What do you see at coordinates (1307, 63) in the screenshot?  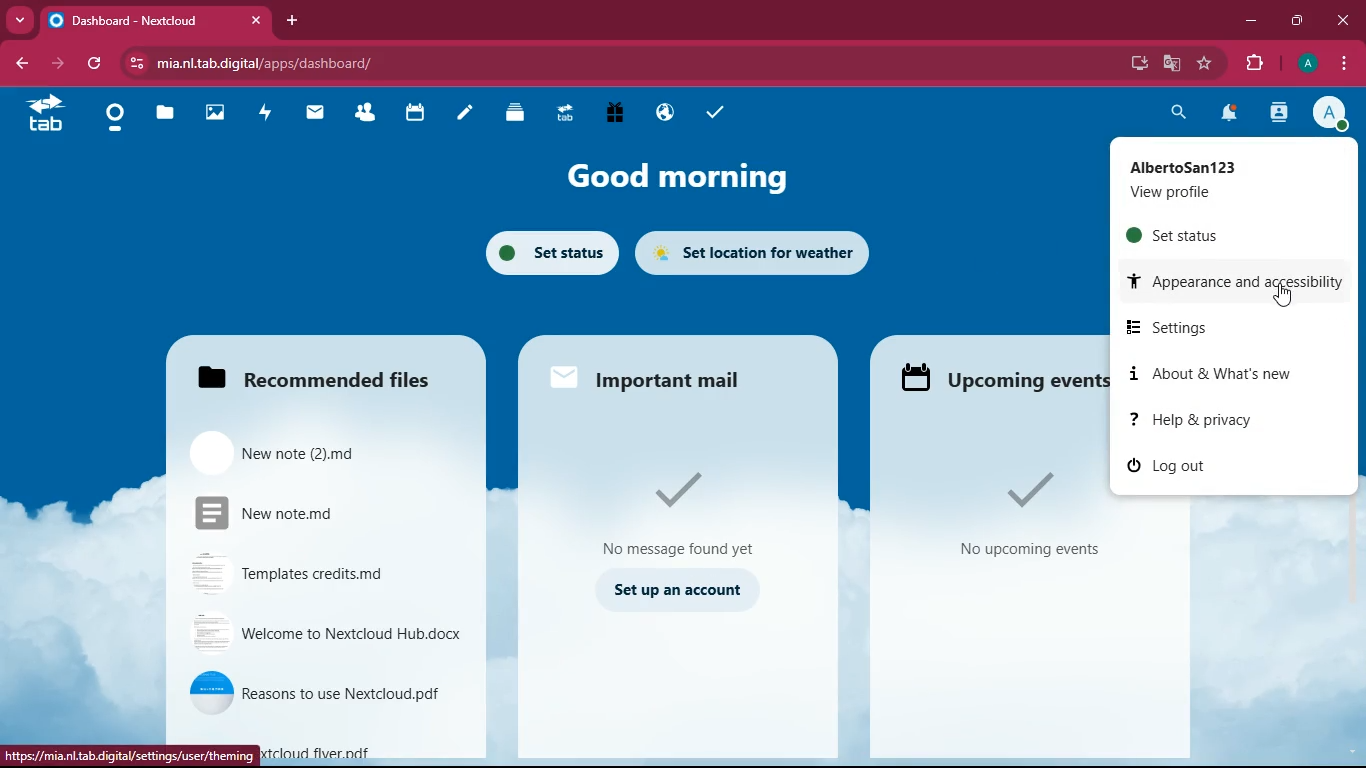 I see `profile` at bounding box center [1307, 63].